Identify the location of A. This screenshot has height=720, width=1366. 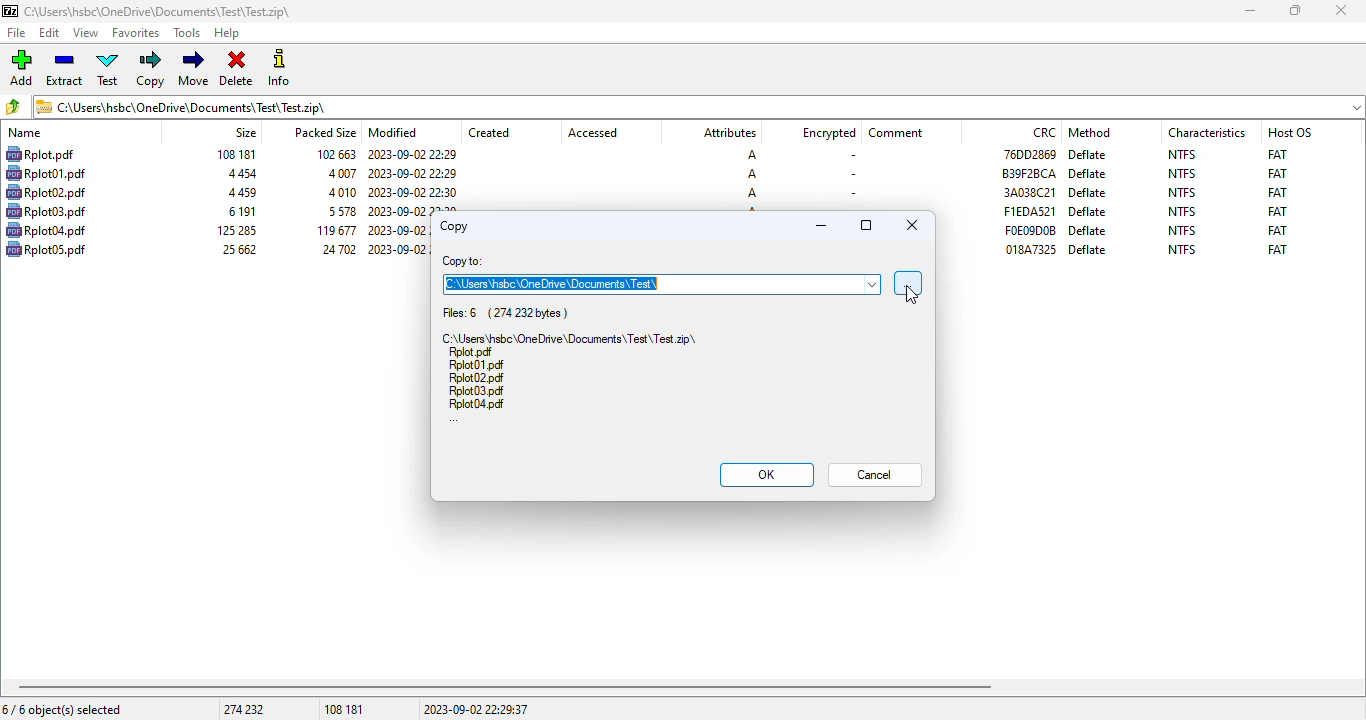
(752, 209).